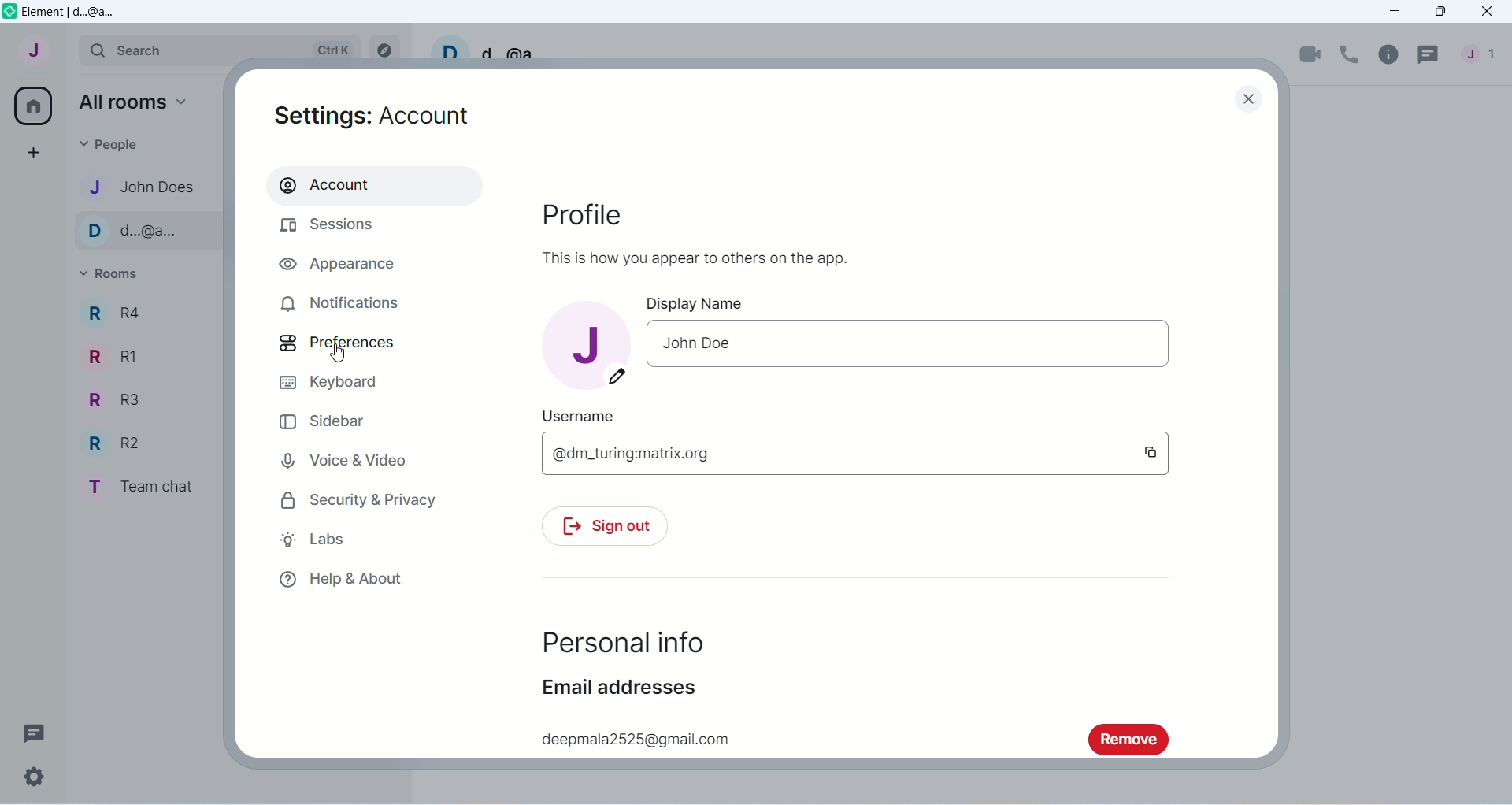  I want to click on Personal Info, so click(625, 640).